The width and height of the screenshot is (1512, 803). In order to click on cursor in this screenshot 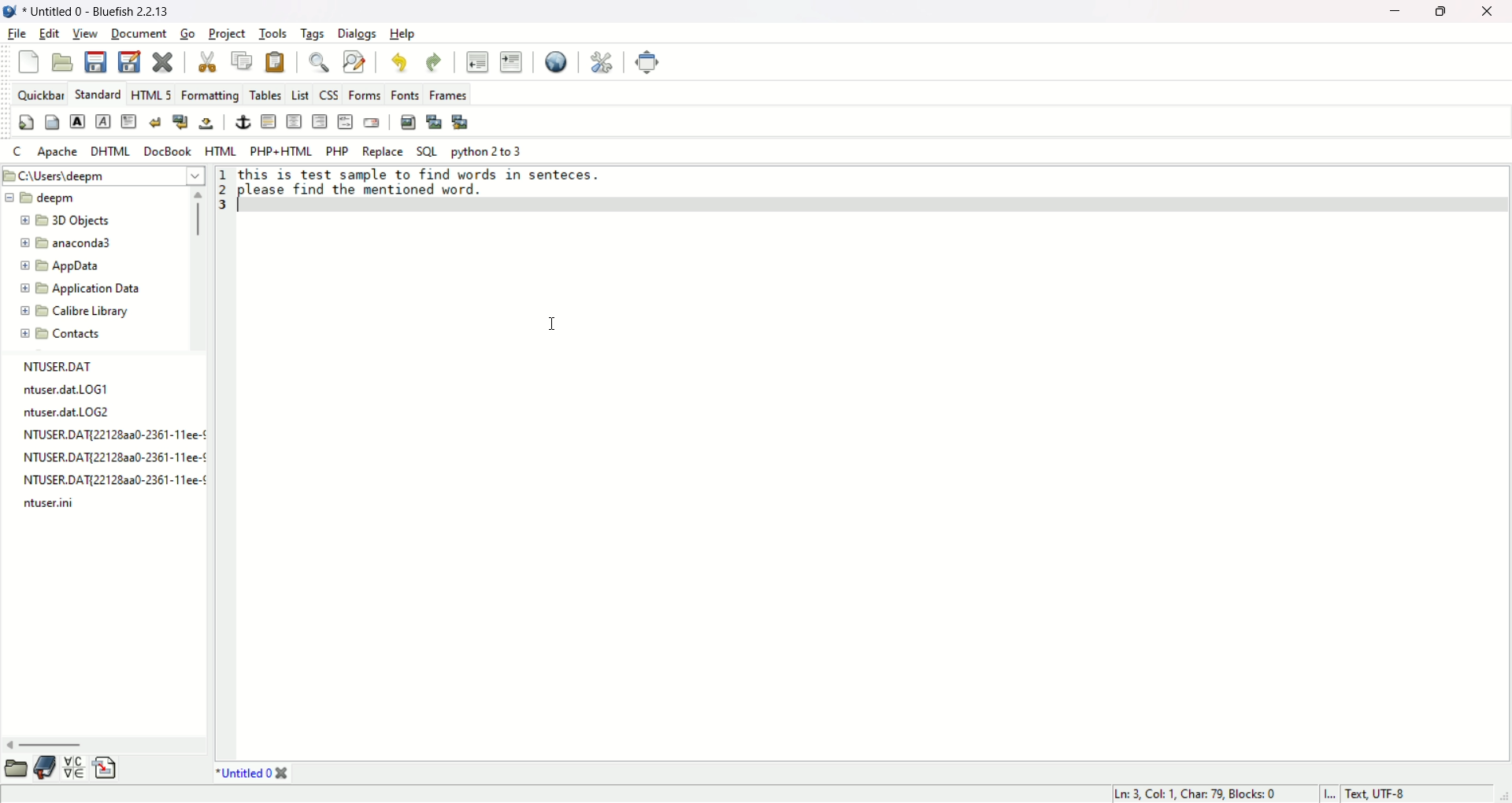, I will do `click(554, 321)`.